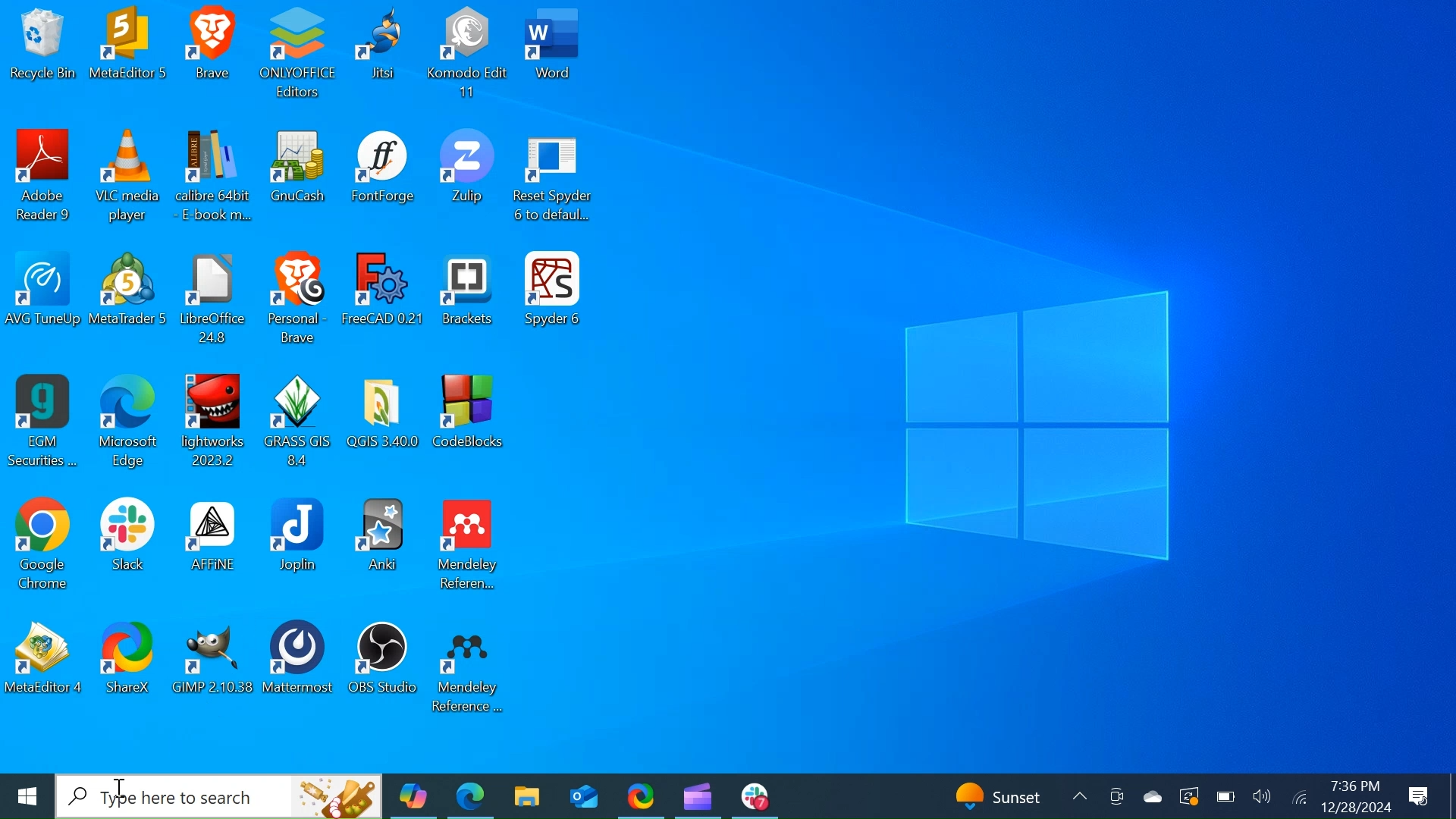 This screenshot has height=819, width=1456. Describe the element at coordinates (380, 179) in the screenshot. I see `FontForge Desktop Icon` at that location.